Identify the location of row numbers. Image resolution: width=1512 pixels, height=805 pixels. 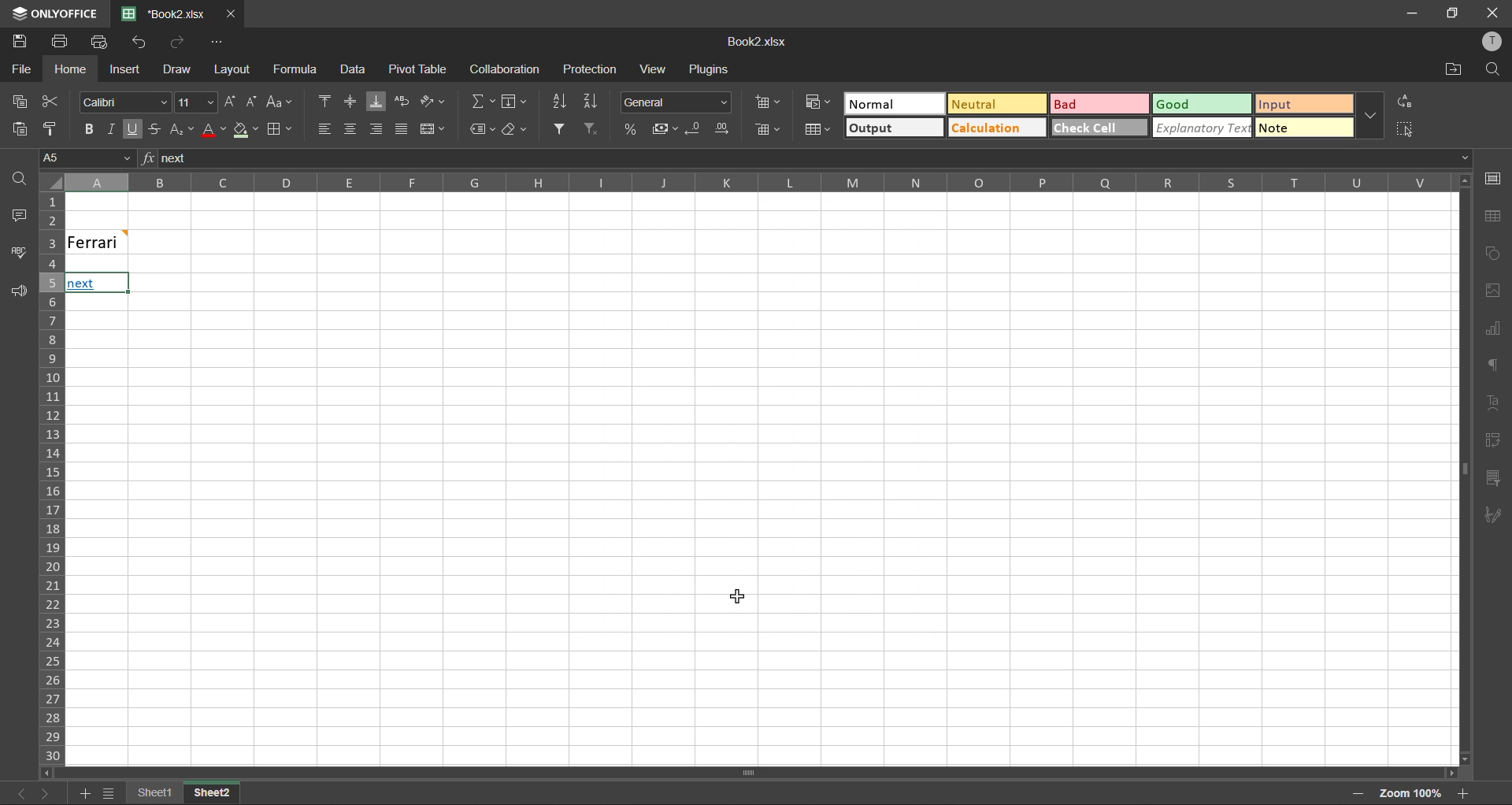
(50, 479).